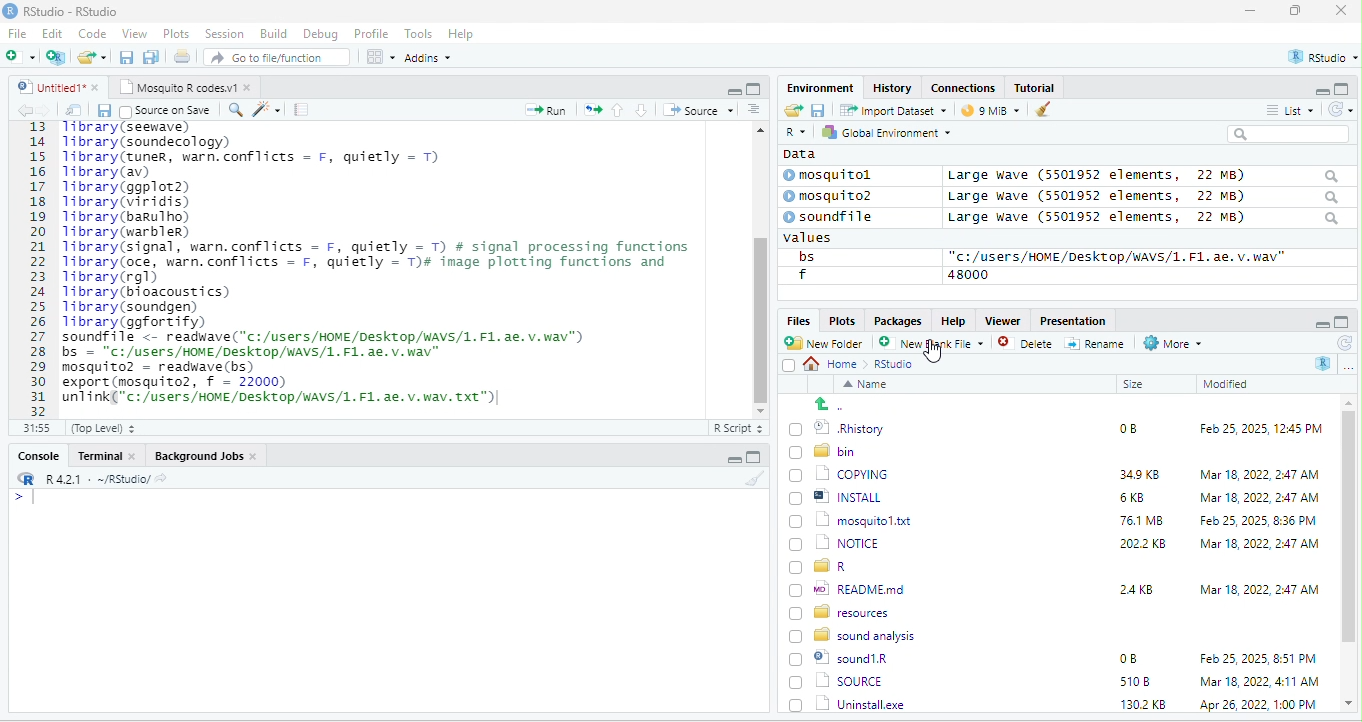  I want to click on hy Global Environment ~, so click(881, 132).